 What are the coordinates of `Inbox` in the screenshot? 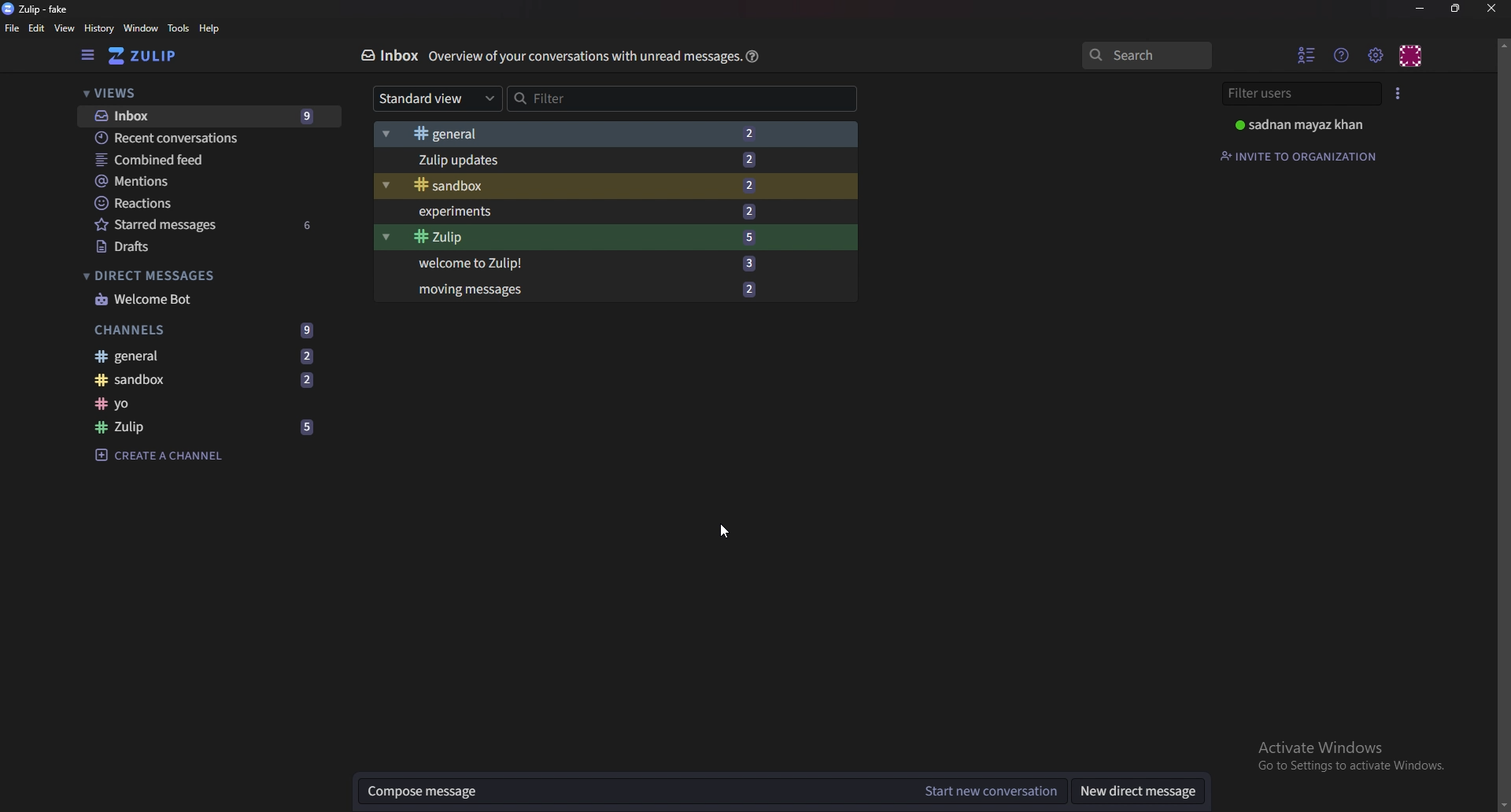 It's located at (215, 116).